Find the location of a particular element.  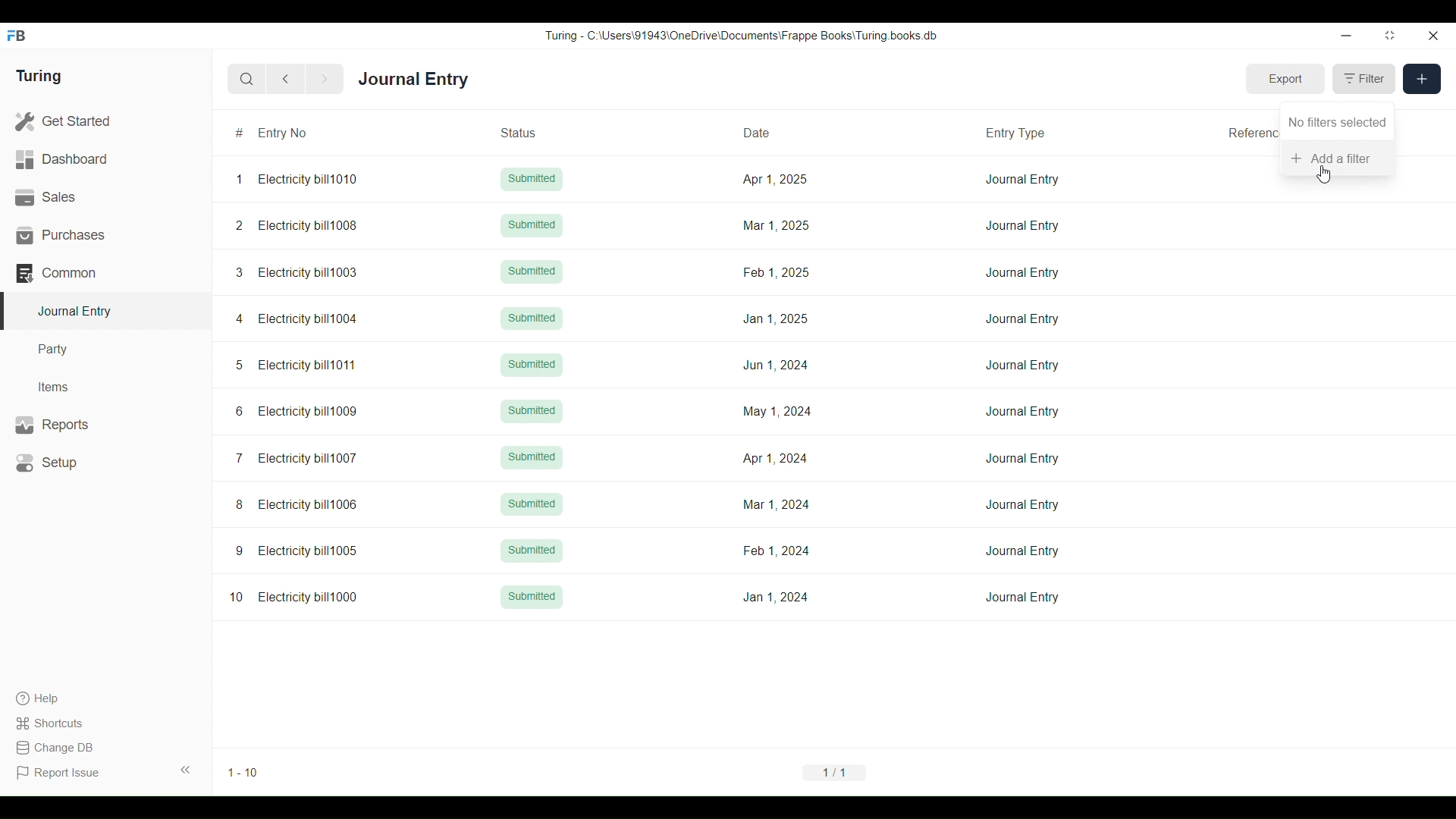

Reference Number is located at coordinates (1252, 132).